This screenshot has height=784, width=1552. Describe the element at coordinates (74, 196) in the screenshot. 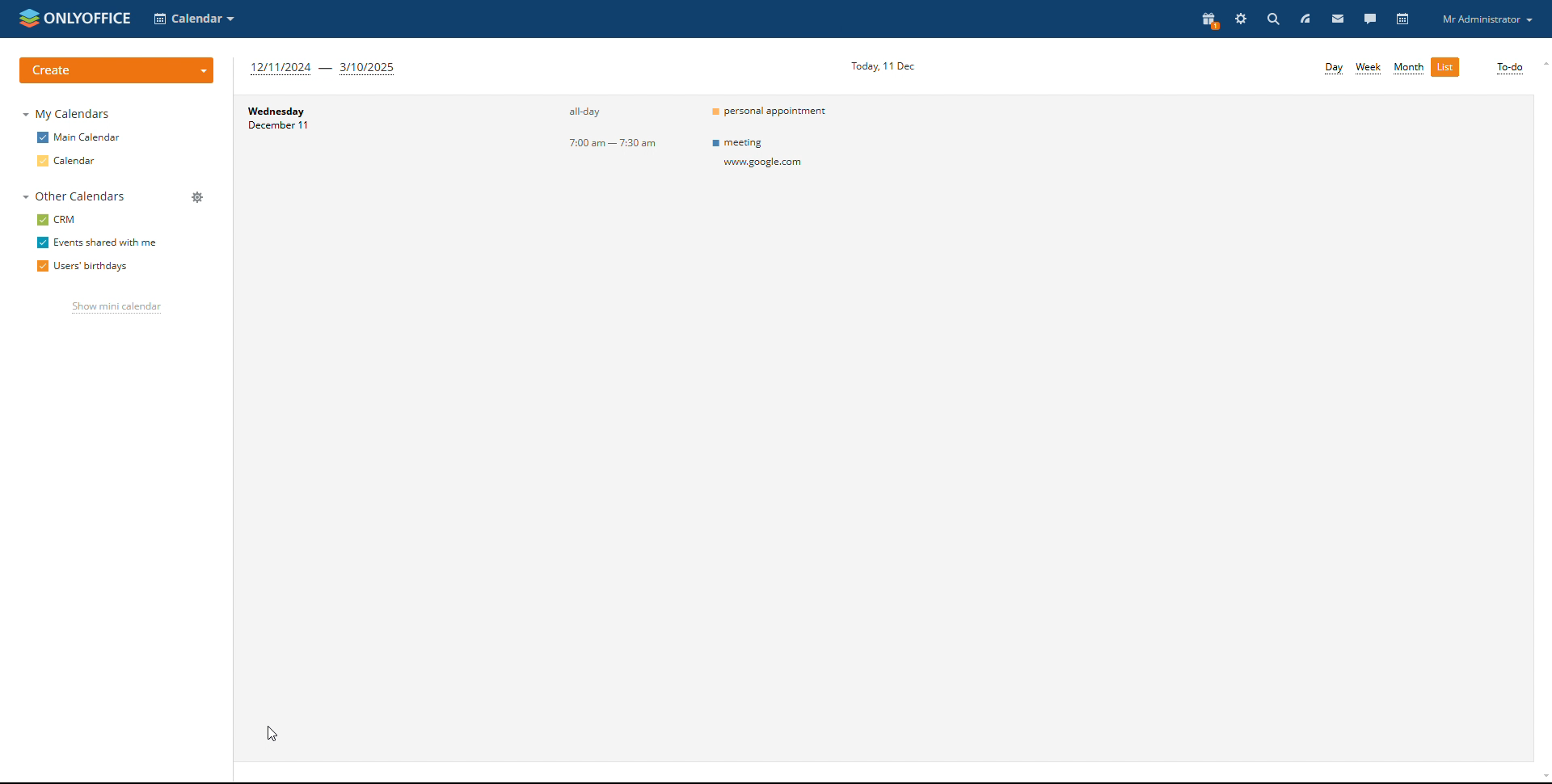

I see `other calendars` at that location.